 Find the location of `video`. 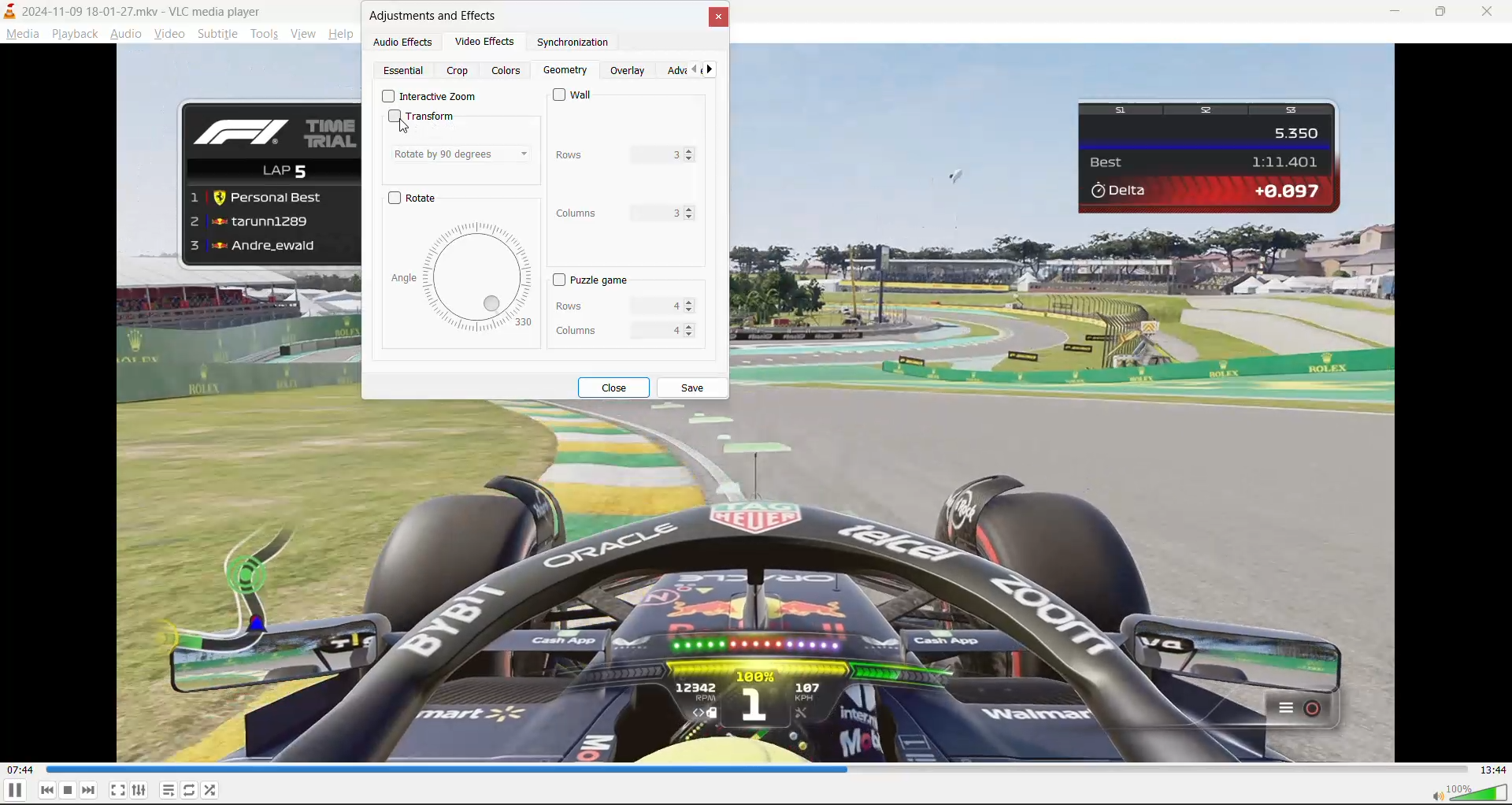

video is located at coordinates (169, 34).